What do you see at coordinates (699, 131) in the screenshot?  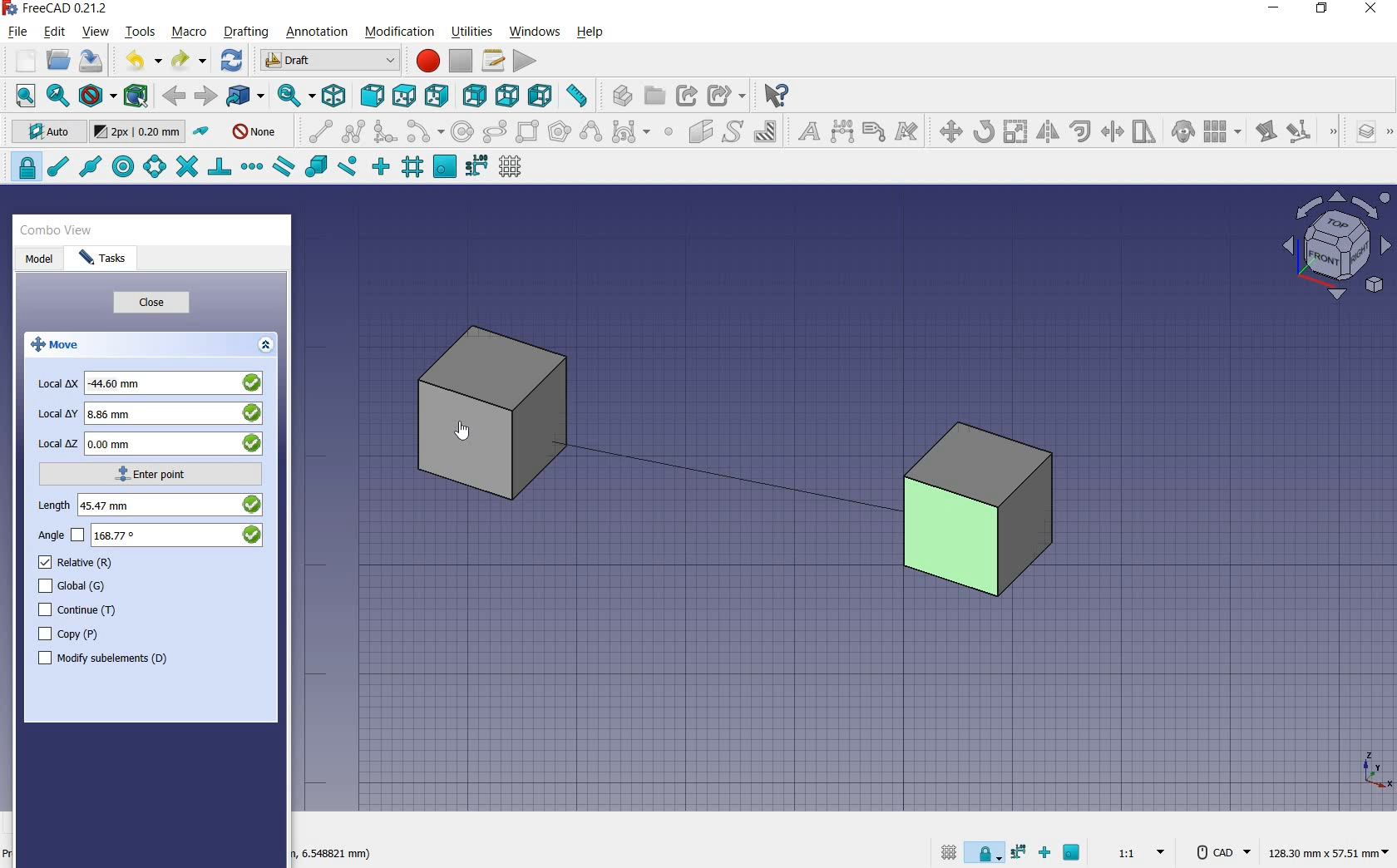 I see `facebinder` at bounding box center [699, 131].